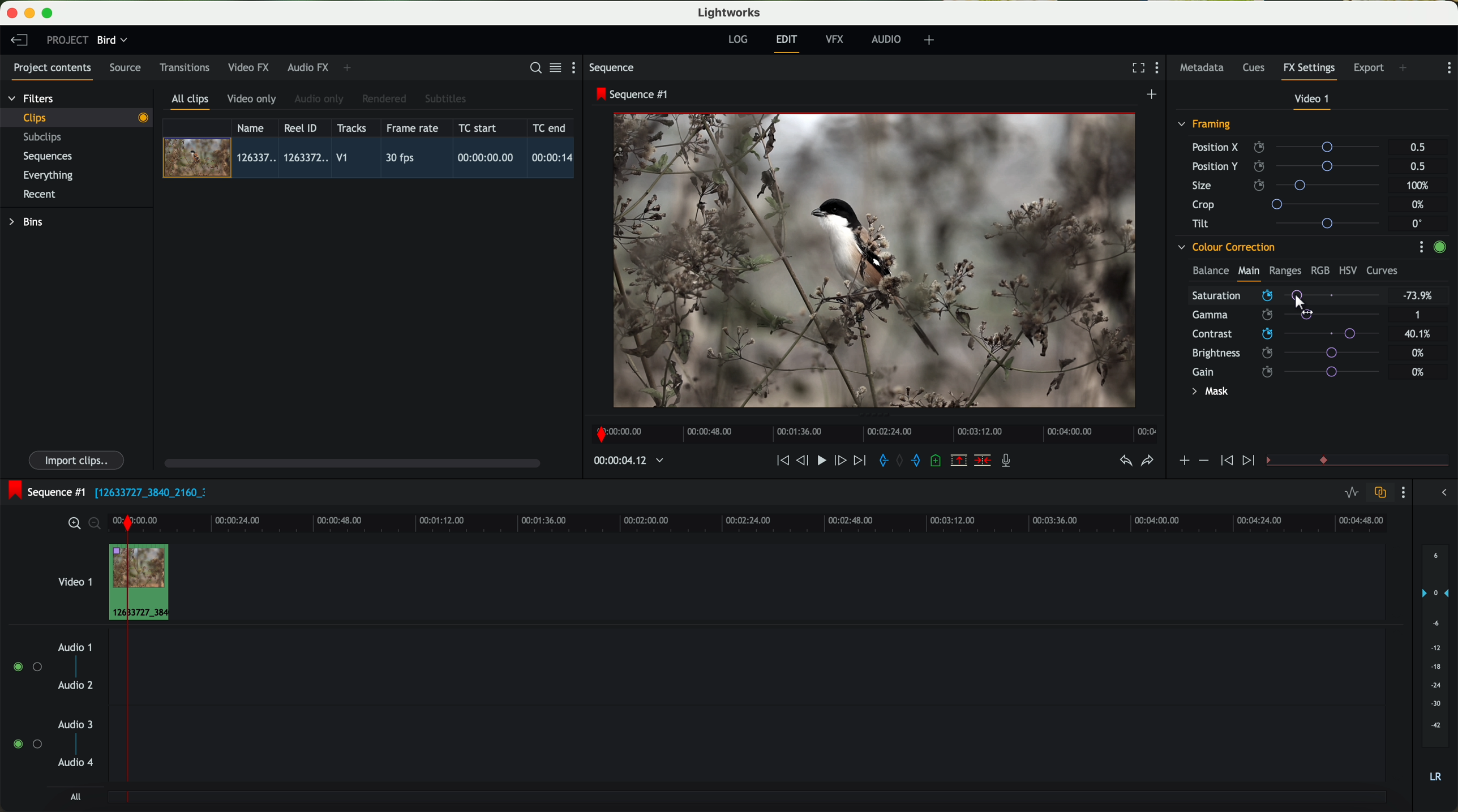 The image size is (1458, 812). I want to click on rewind, so click(782, 461).